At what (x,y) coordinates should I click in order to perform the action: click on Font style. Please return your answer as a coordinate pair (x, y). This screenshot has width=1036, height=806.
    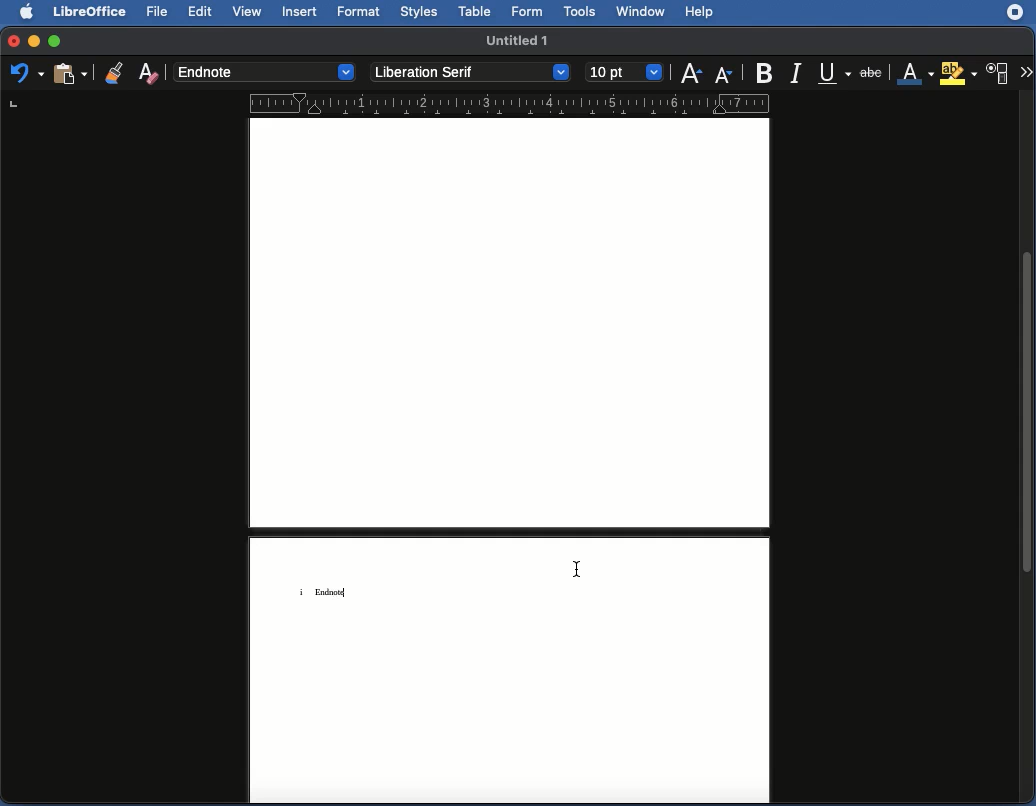
    Looking at the image, I should click on (471, 72).